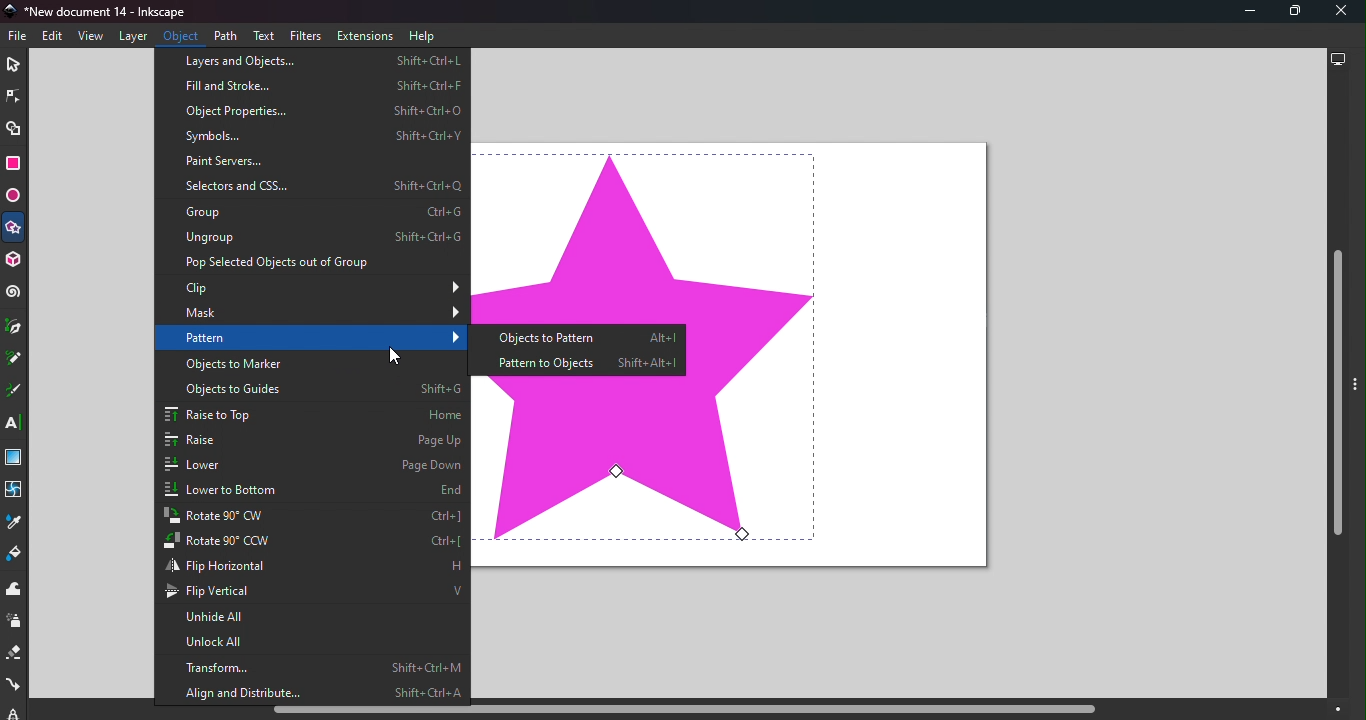  What do you see at coordinates (132, 37) in the screenshot?
I see `Layers` at bounding box center [132, 37].